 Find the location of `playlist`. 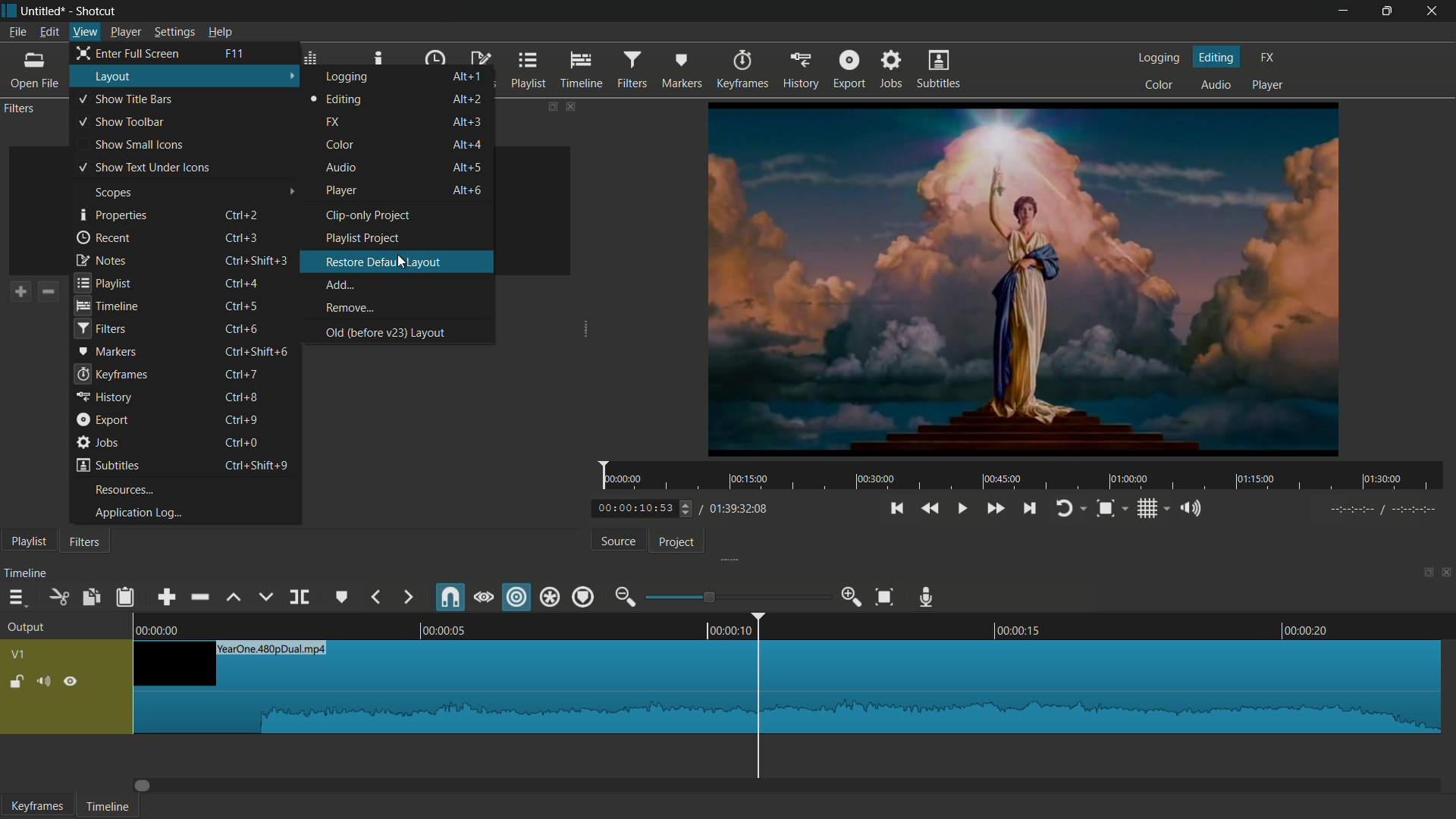

playlist is located at coordinates (24, 541).